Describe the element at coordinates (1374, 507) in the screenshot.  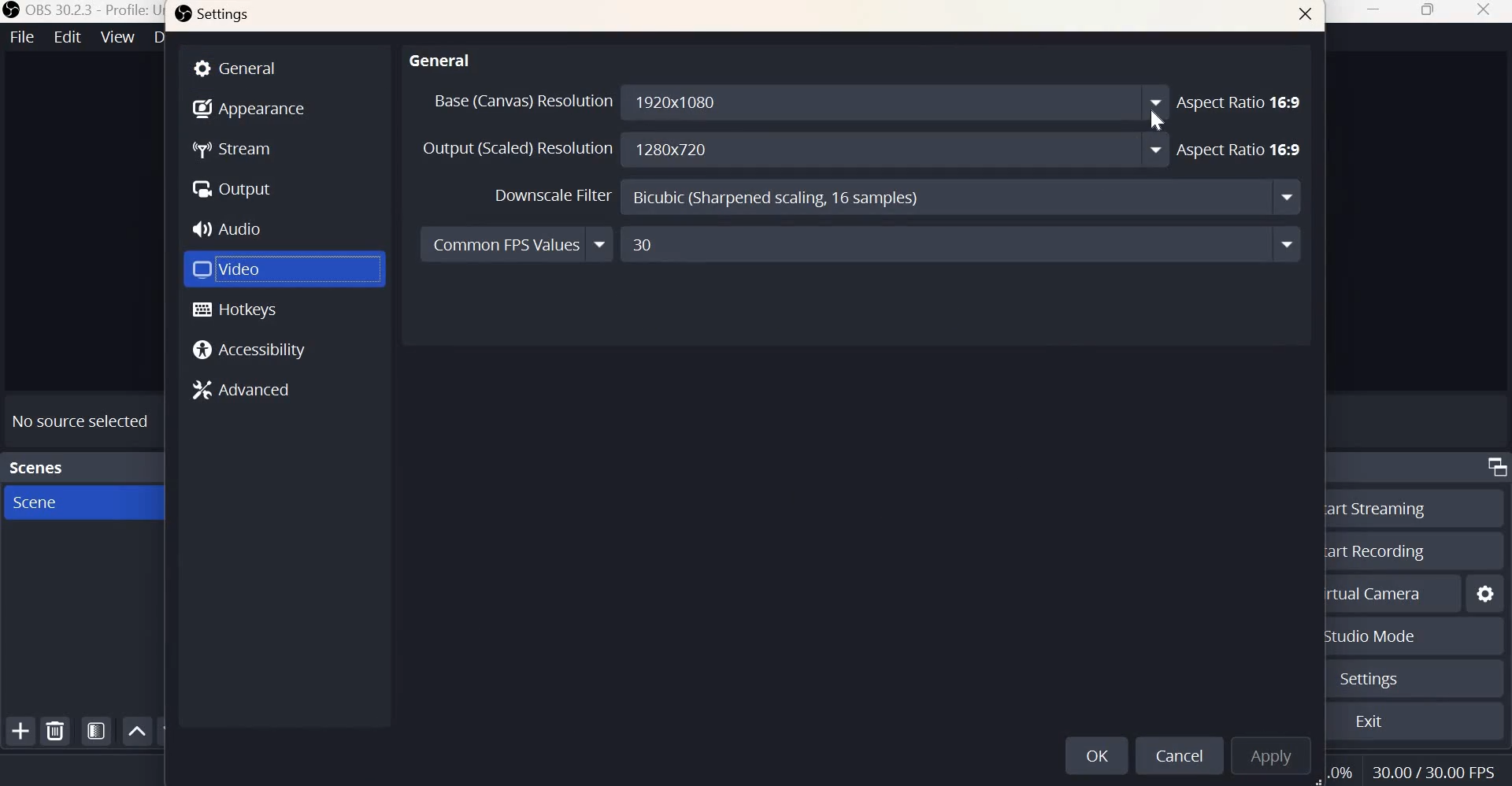
I see `Start streaming` at that location.